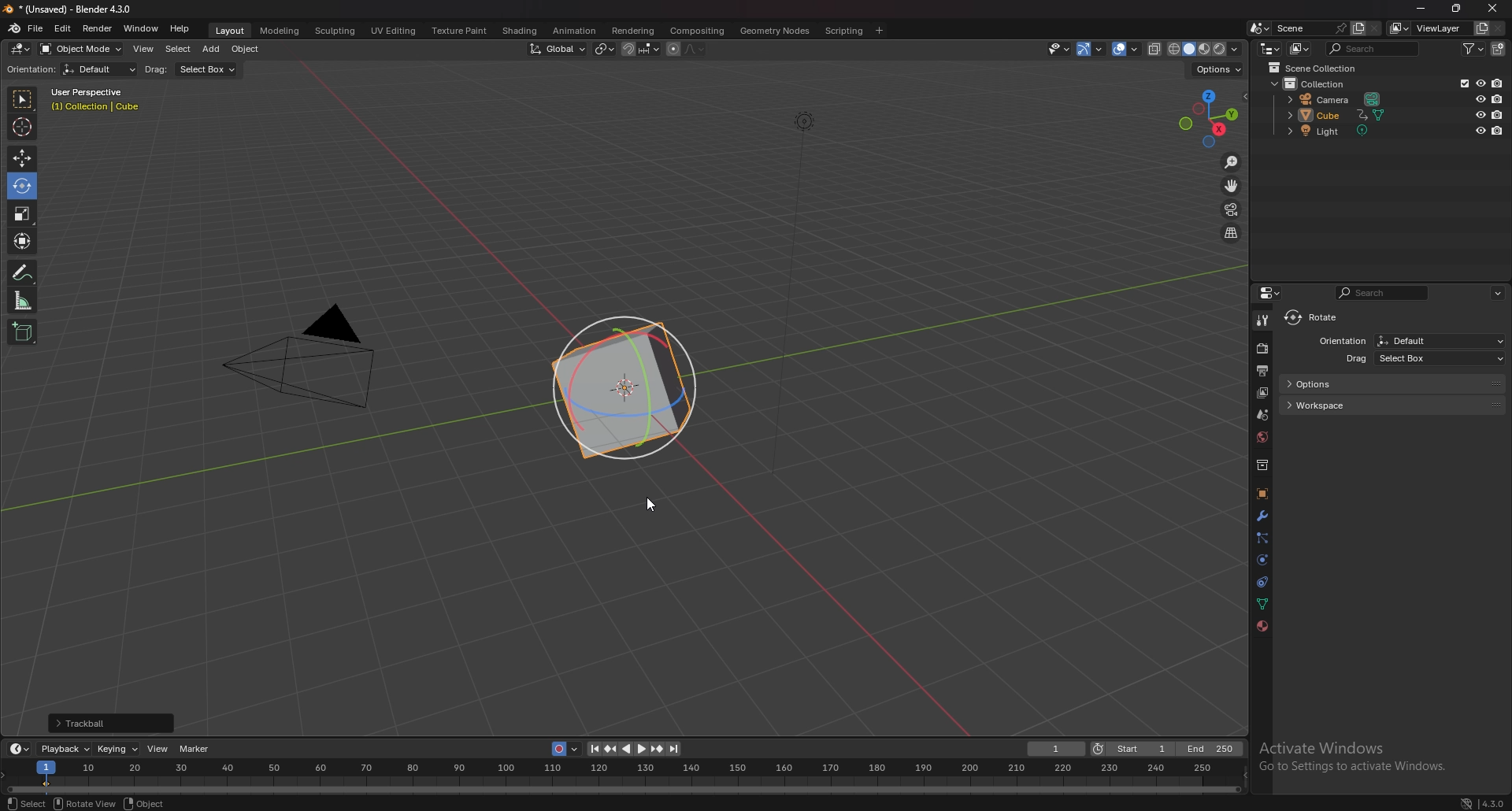  Describe the element at coordinates (14, 28) in the screenshot. I see `blender` at that location.